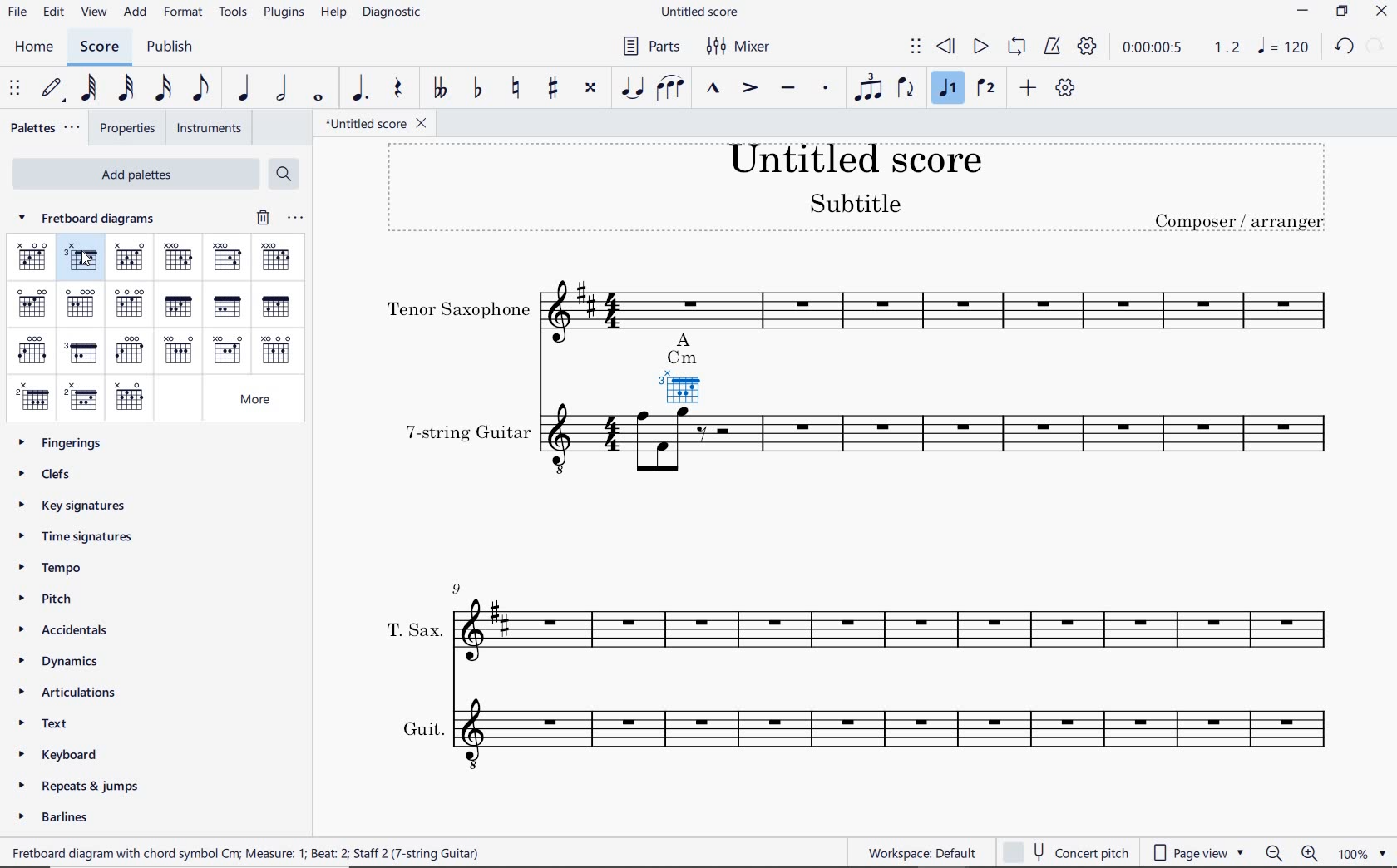 The width and height of the screenshot is (1397, 868). I want to click on BARLINES, so click(59, 818).